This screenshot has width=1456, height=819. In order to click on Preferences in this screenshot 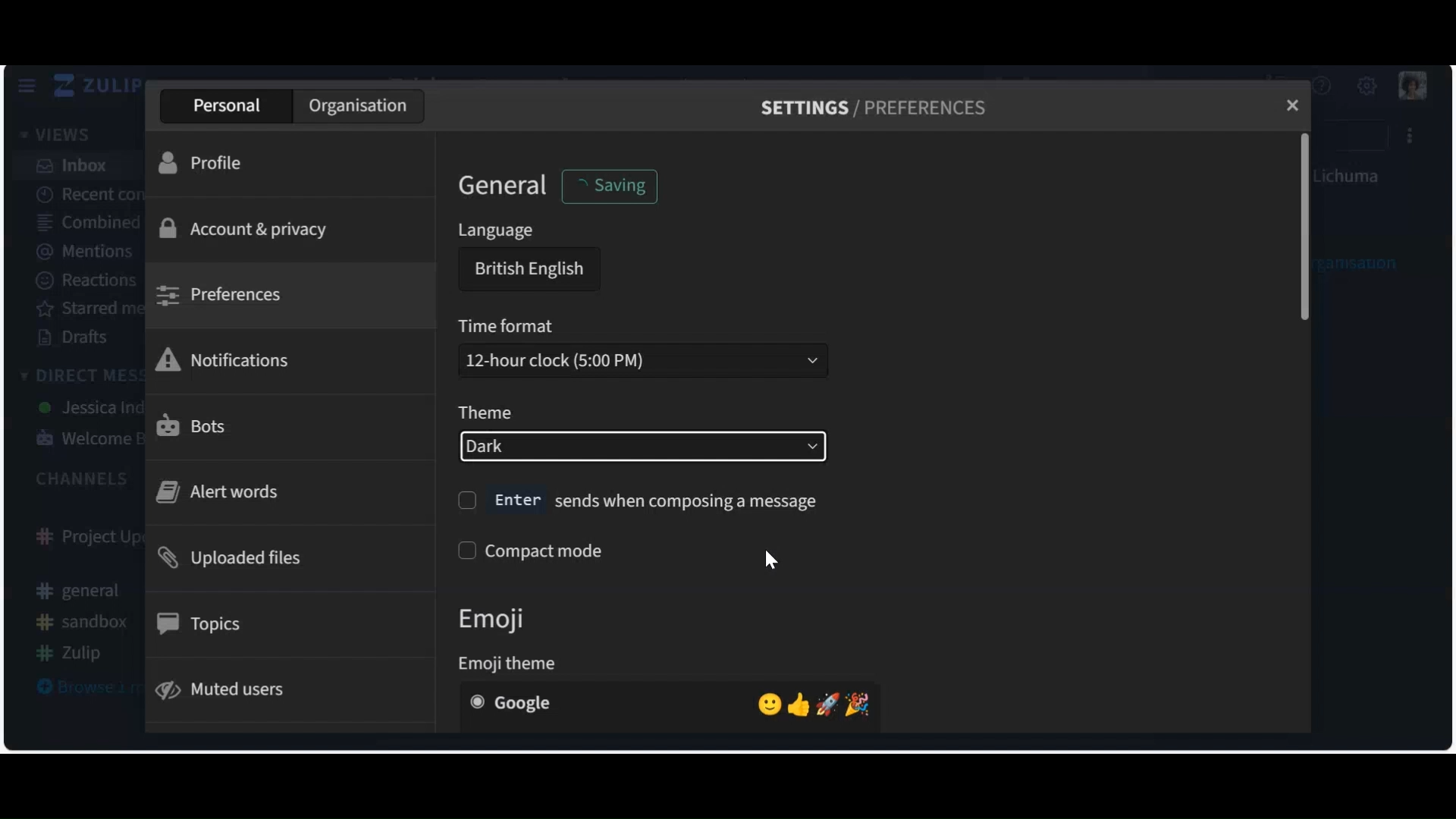, I will do `click(224, 294)`.